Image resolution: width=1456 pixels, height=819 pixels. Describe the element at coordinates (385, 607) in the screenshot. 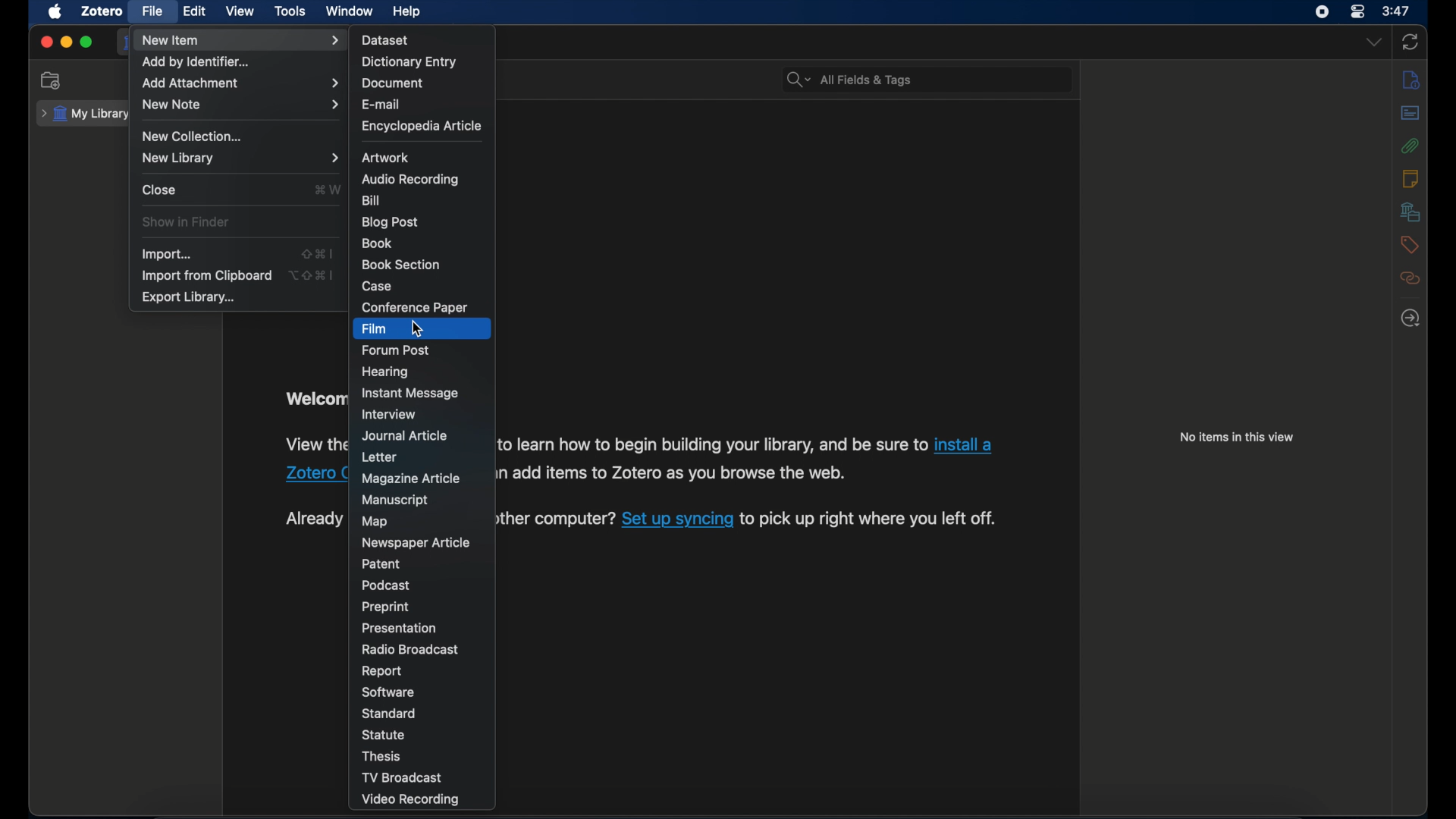

I see `preprint` at that location.